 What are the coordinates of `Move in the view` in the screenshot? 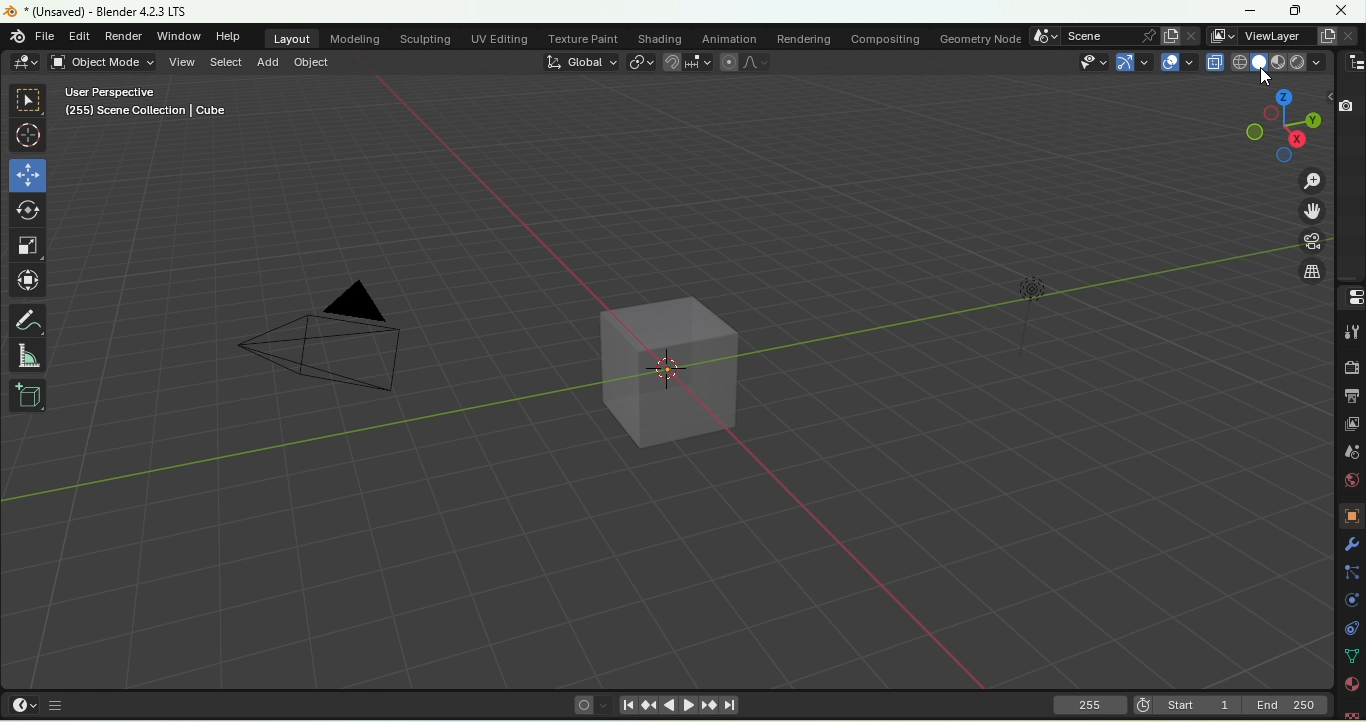 It's located at (1311, 213).